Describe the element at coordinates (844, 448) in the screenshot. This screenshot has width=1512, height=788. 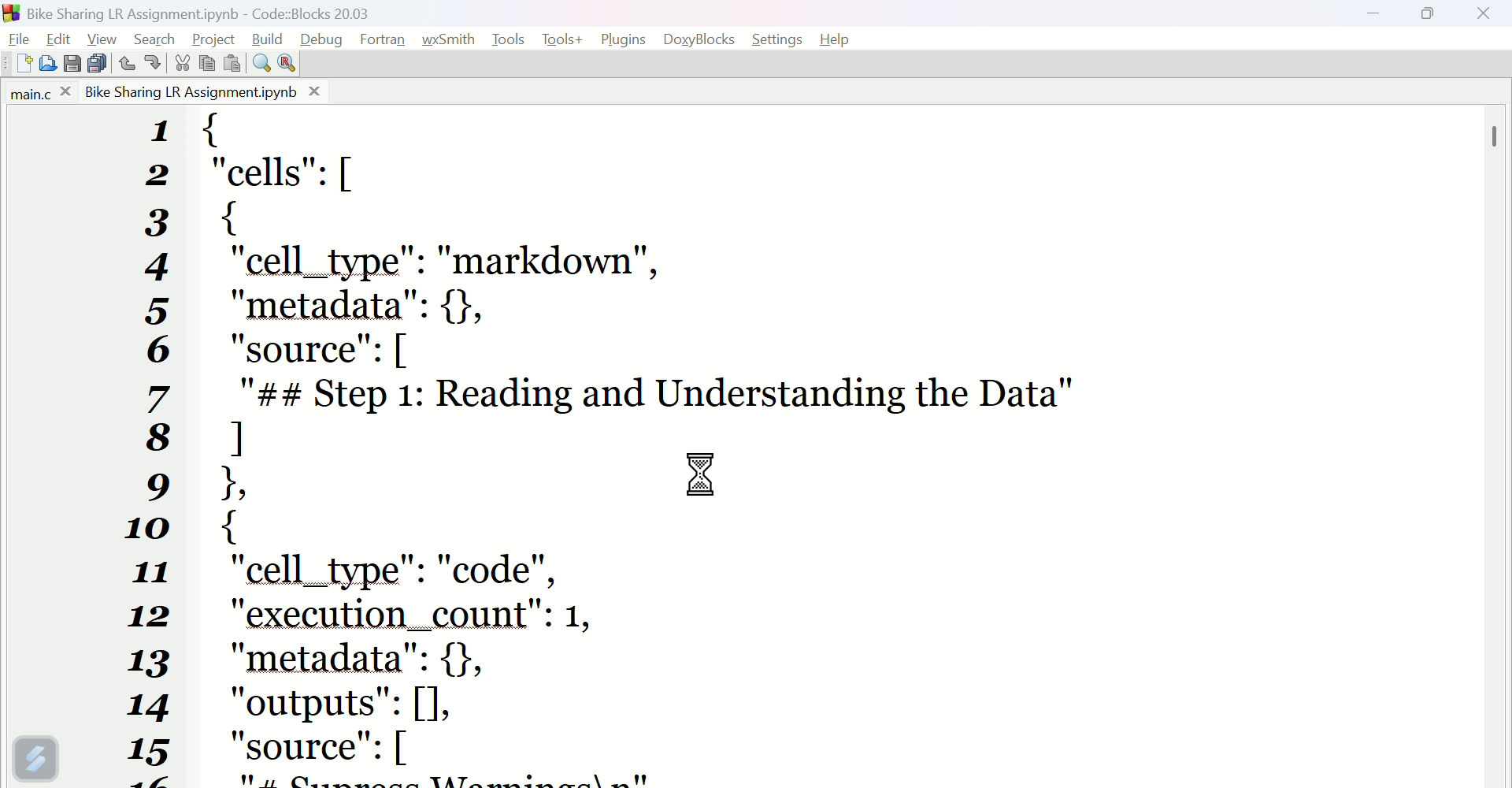
I see `Code` at that location.